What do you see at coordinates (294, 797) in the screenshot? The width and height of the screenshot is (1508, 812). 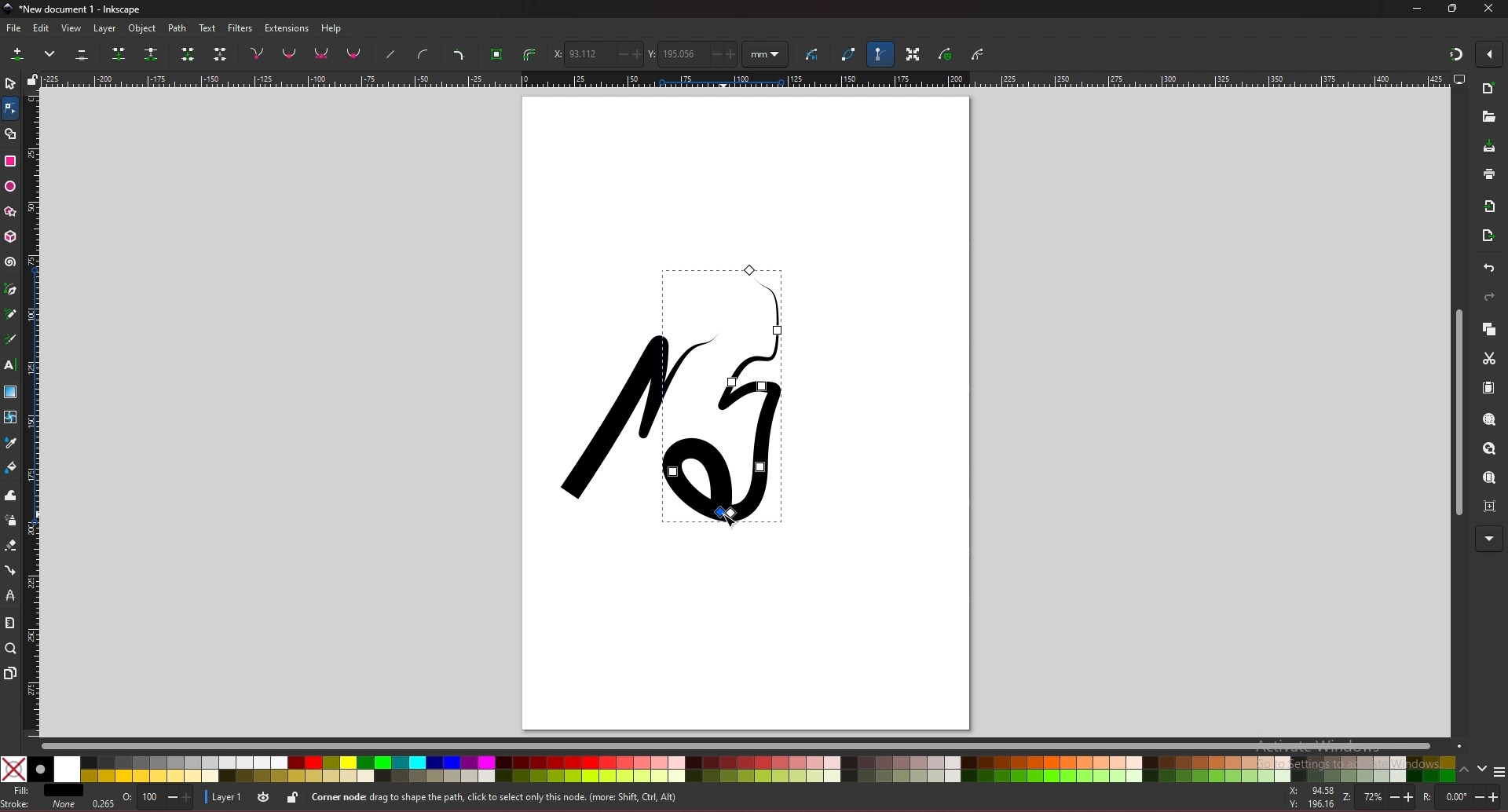 I see `toggle lock` at bounding box center [294, 797].